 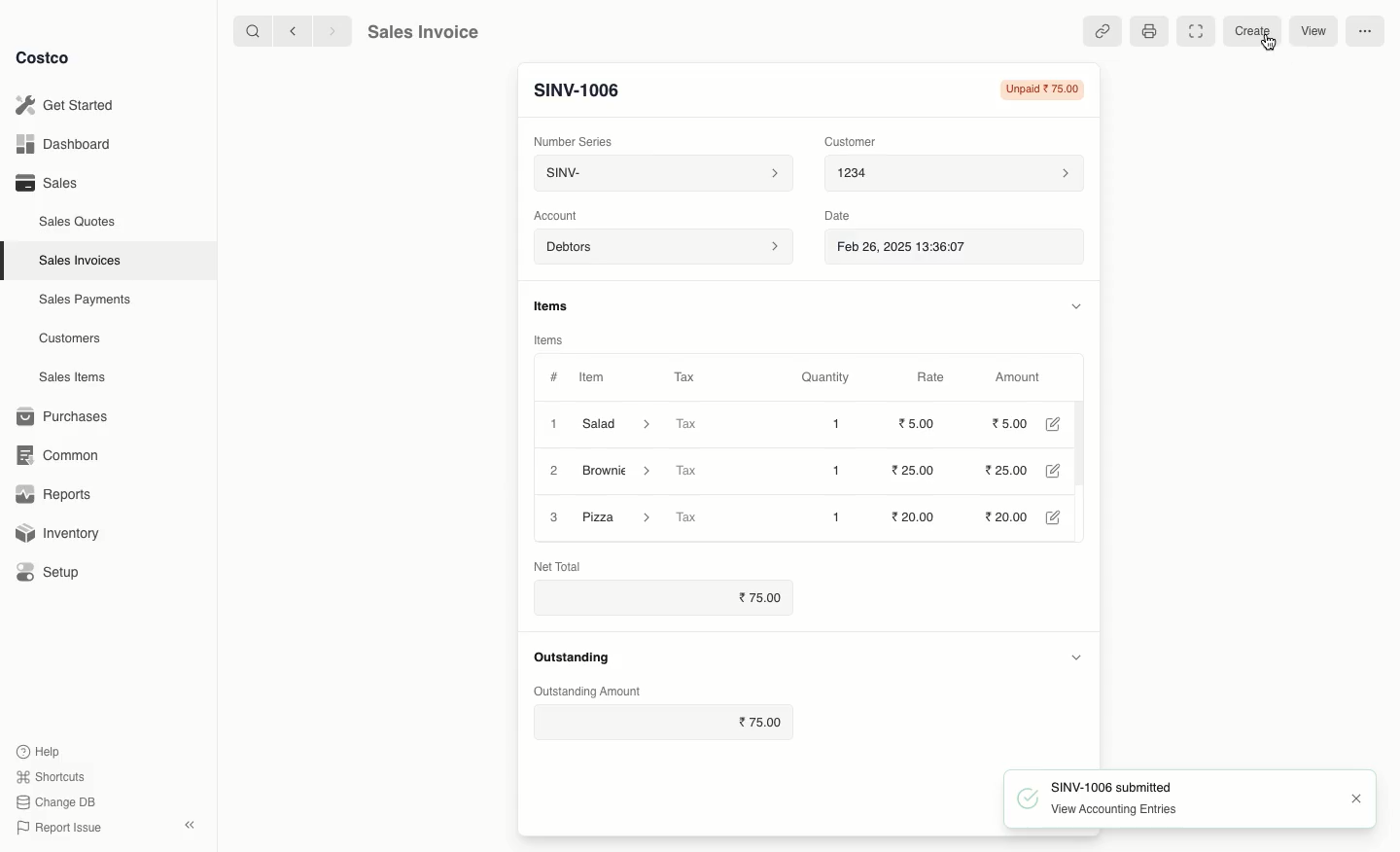 What do you see at coordinates (423, 34) in the screenshot?
I see `Sales Invoice` at bounding box center [423, 34].